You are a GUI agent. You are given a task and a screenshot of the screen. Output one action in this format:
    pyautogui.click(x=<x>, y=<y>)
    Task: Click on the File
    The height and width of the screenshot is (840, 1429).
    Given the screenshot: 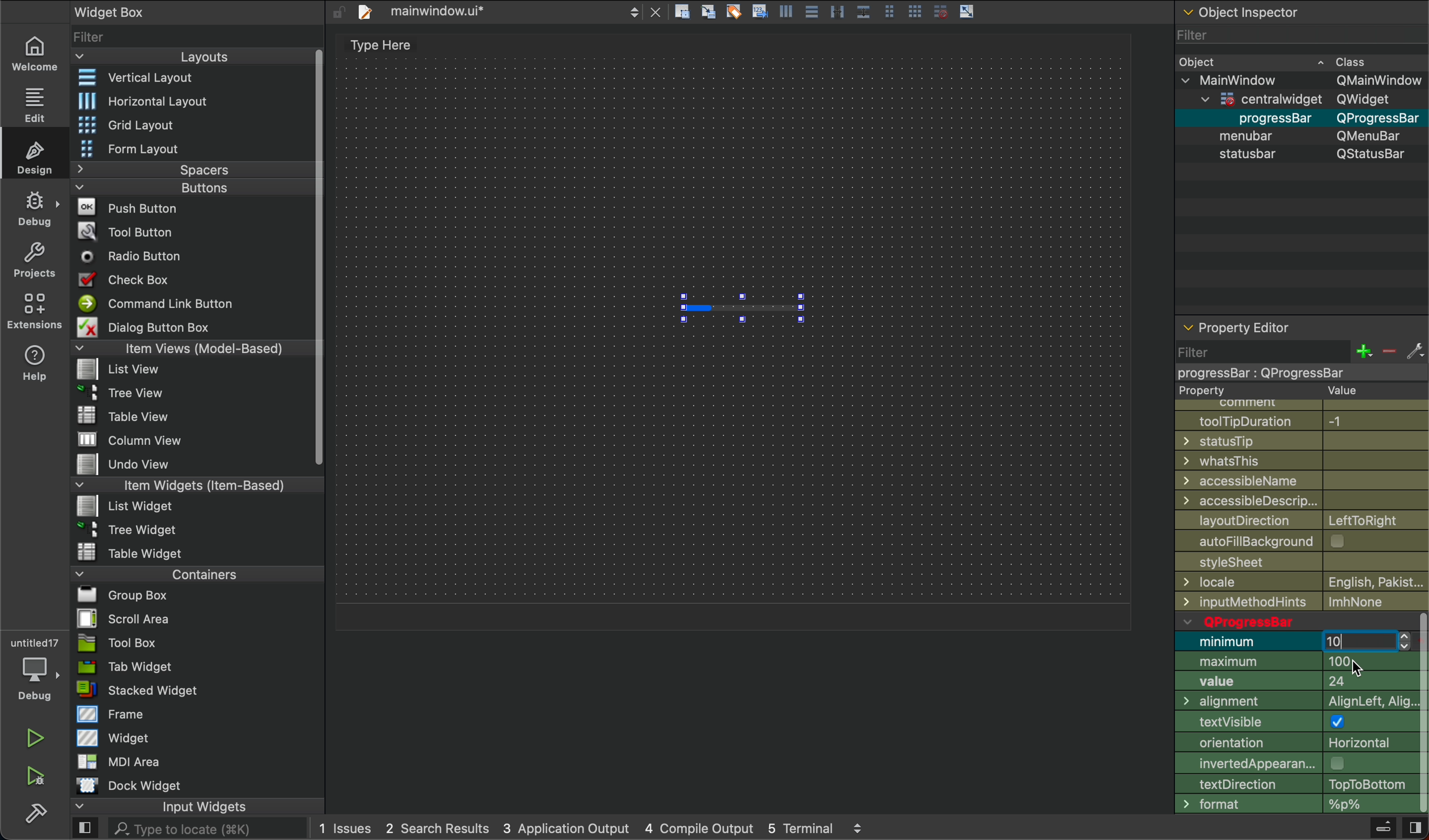 What is the action you would take?
    pyautogui.click(x=131, y=528)
    